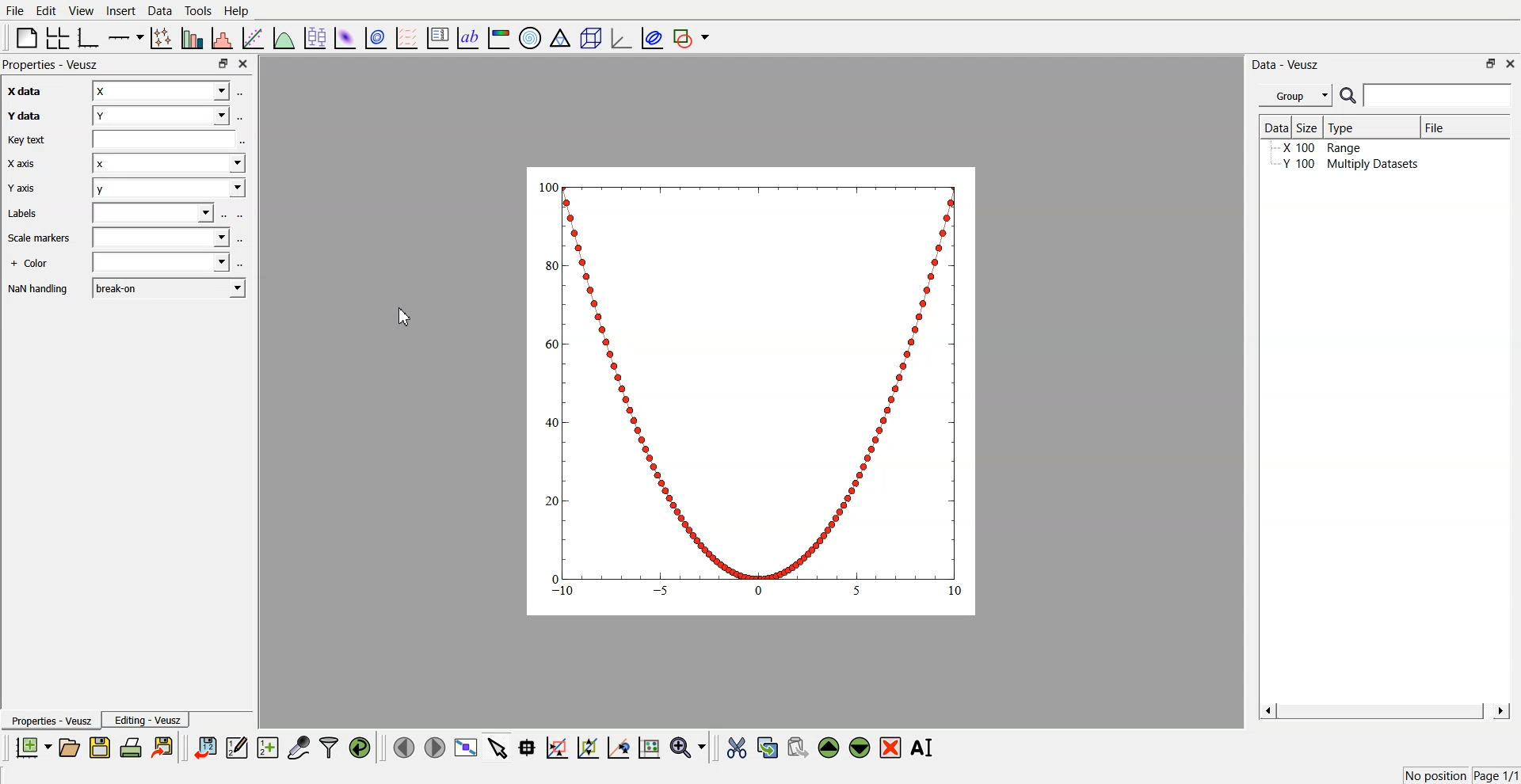 The width and height of the screenshot is (1521, 784). I want to click on Insert, so click(119, 11).